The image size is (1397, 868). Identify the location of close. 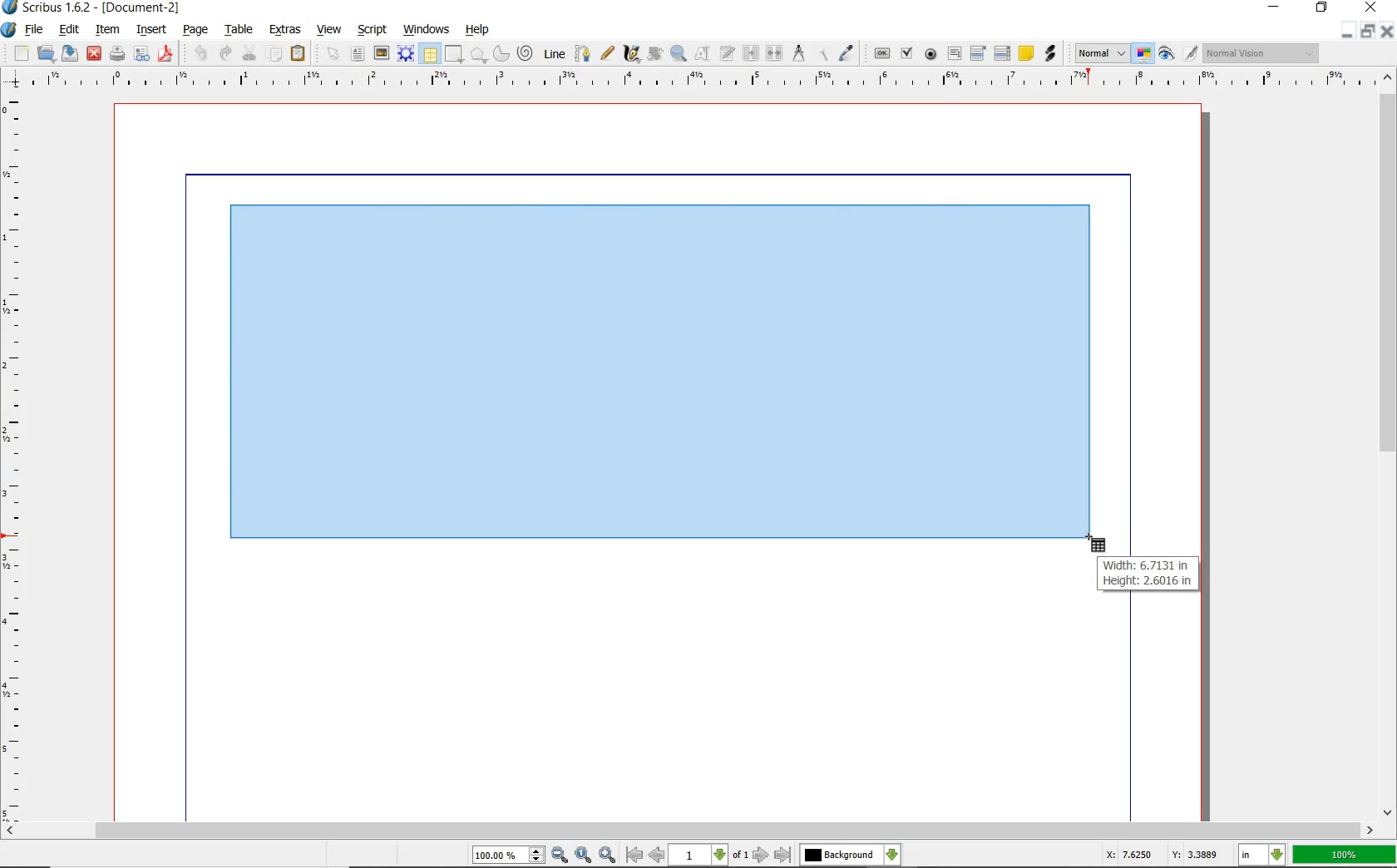
(1389, 32).